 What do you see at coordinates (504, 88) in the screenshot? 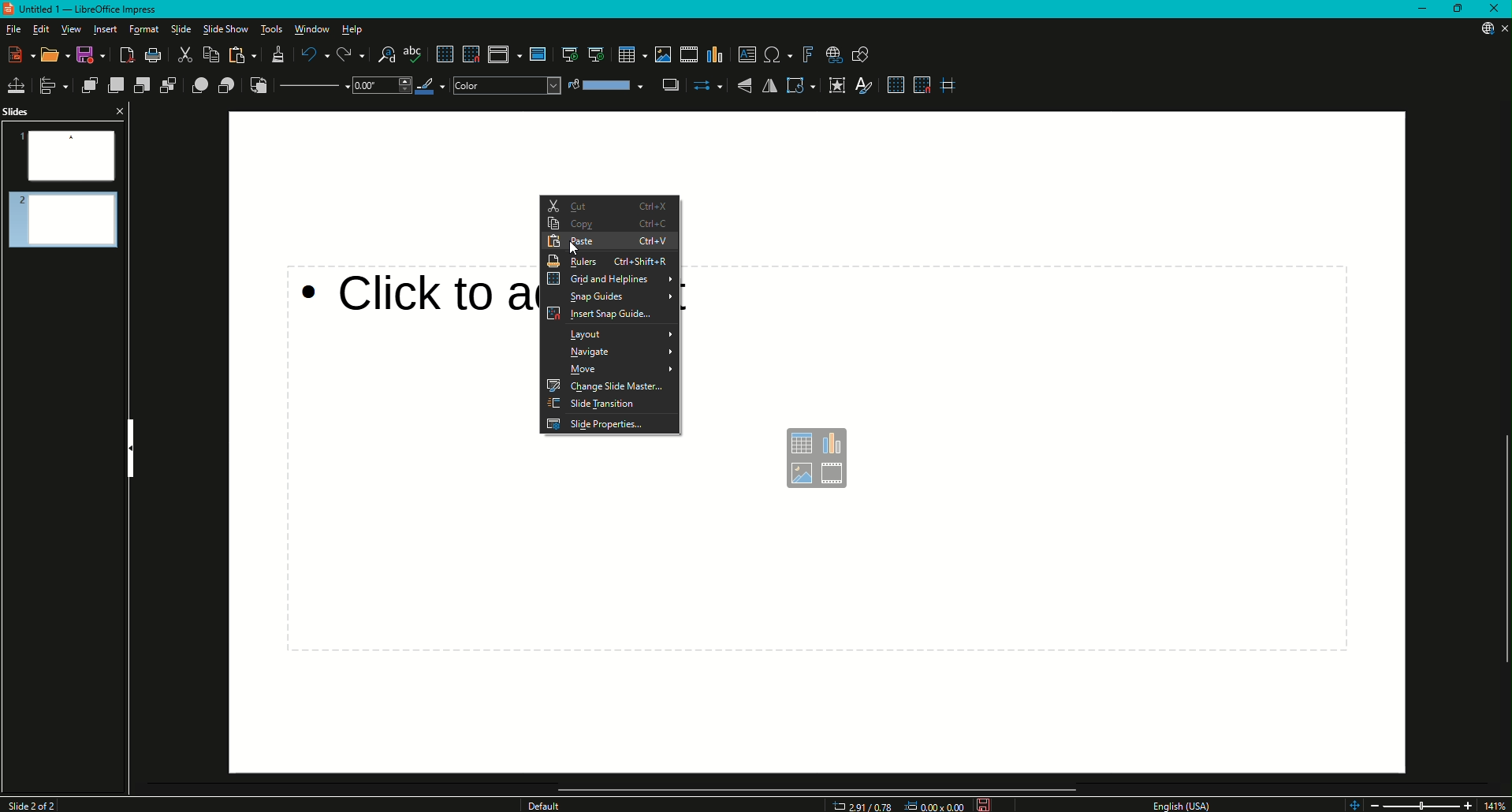
I see `Color Drop Down` at bounding box center [504, 88].